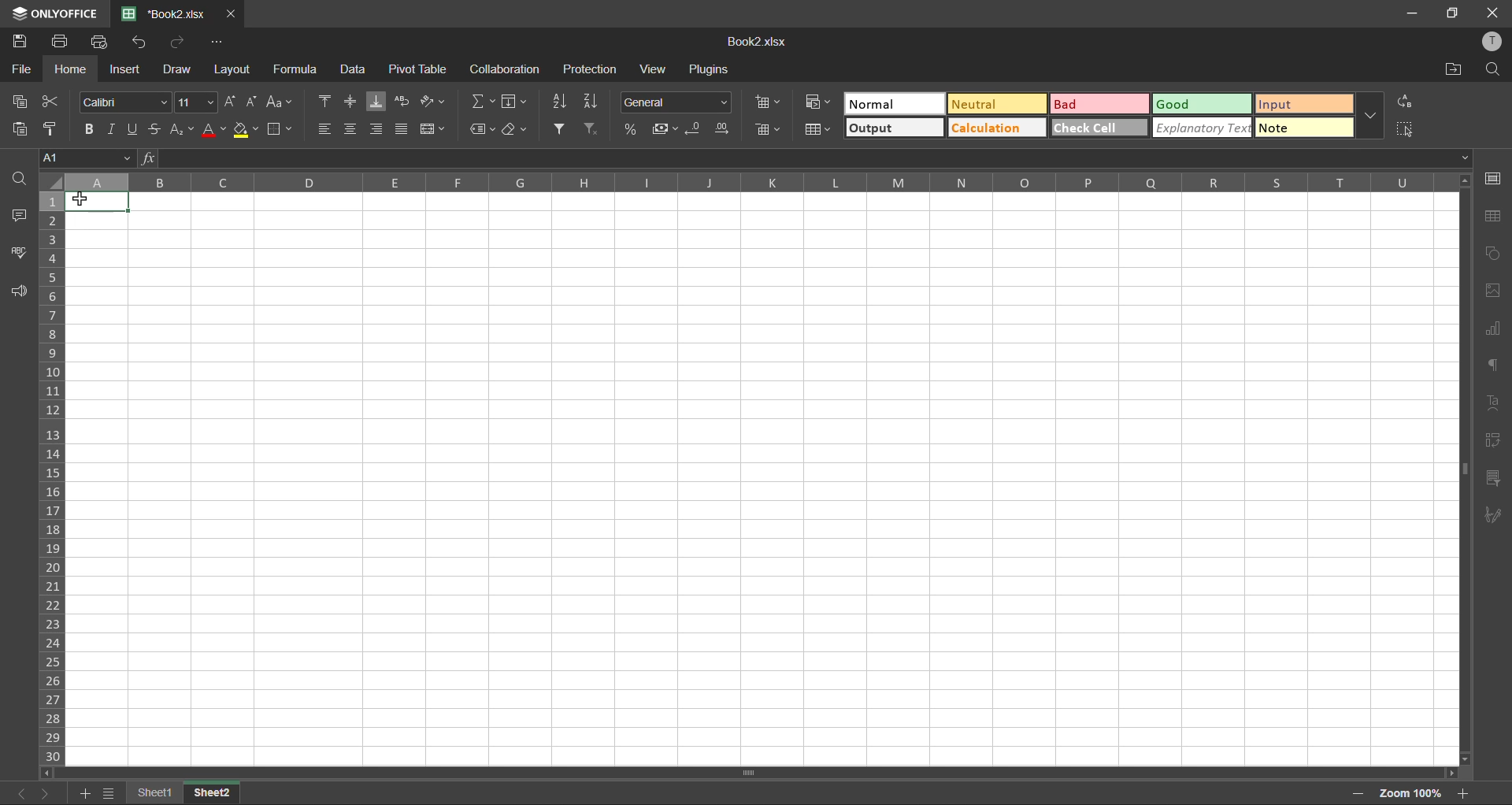 This screenshot has width=1512, height=805. I want to click on sheet list, so click(109, 794).